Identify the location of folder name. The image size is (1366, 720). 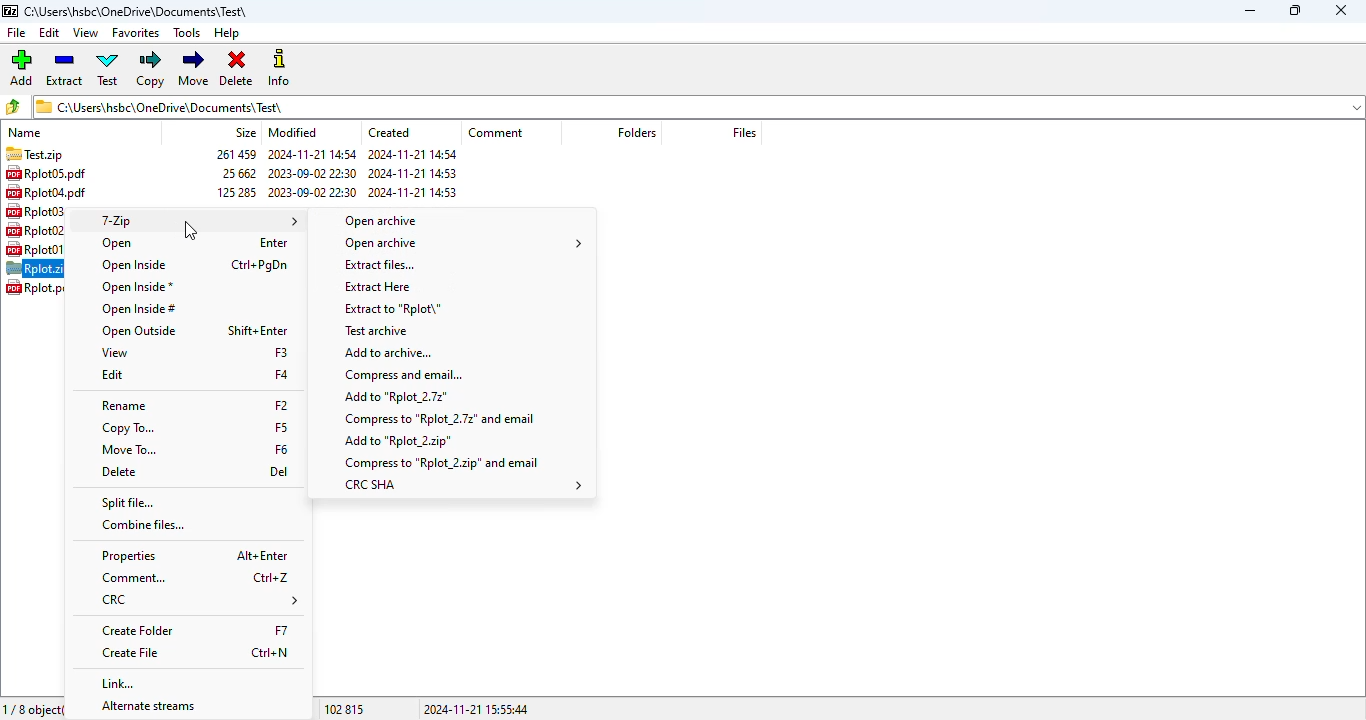
(139, 11).